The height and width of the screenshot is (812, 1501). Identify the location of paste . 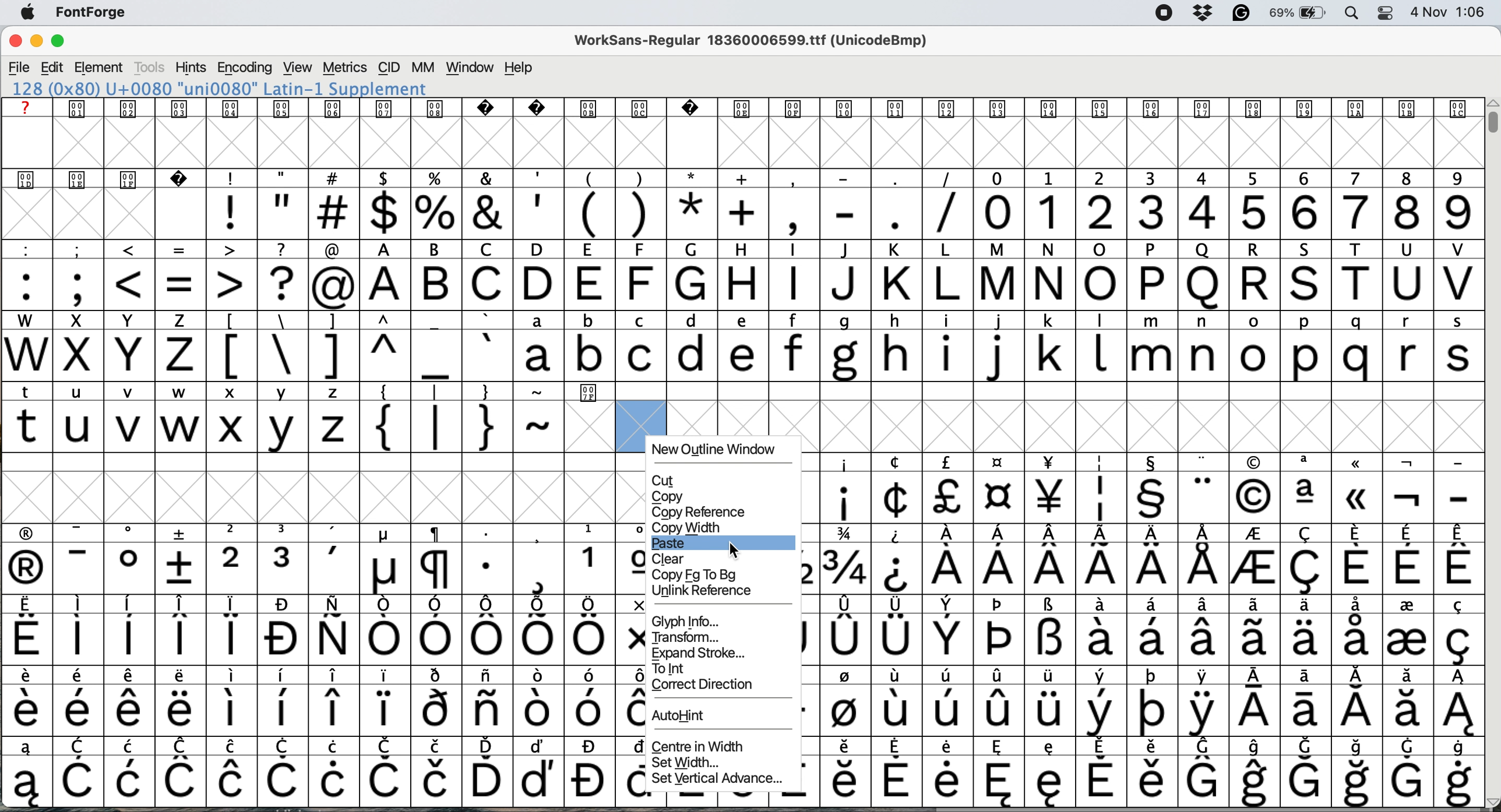
(675, 545).